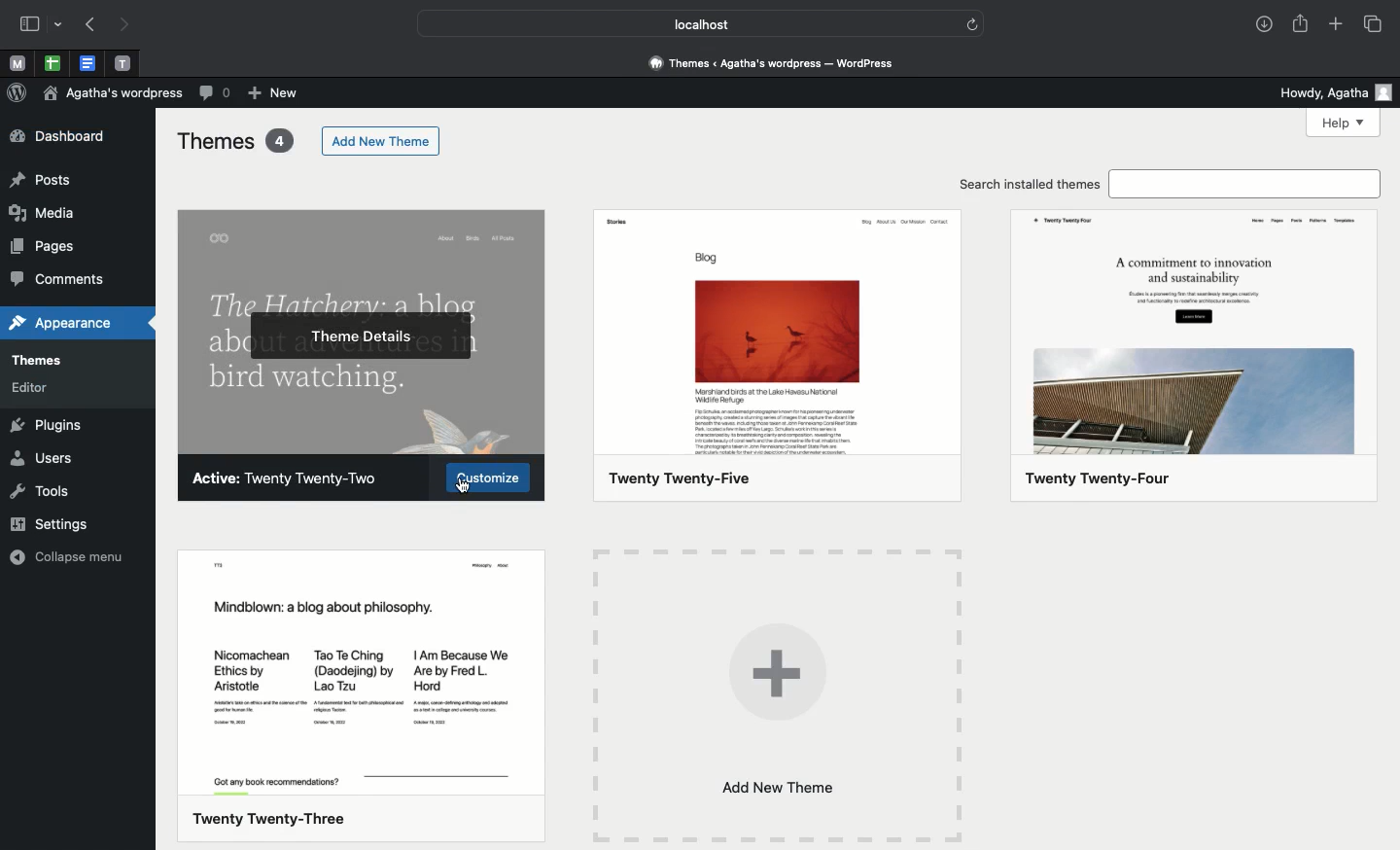  I want to click on Appearance, so click(67, 324).